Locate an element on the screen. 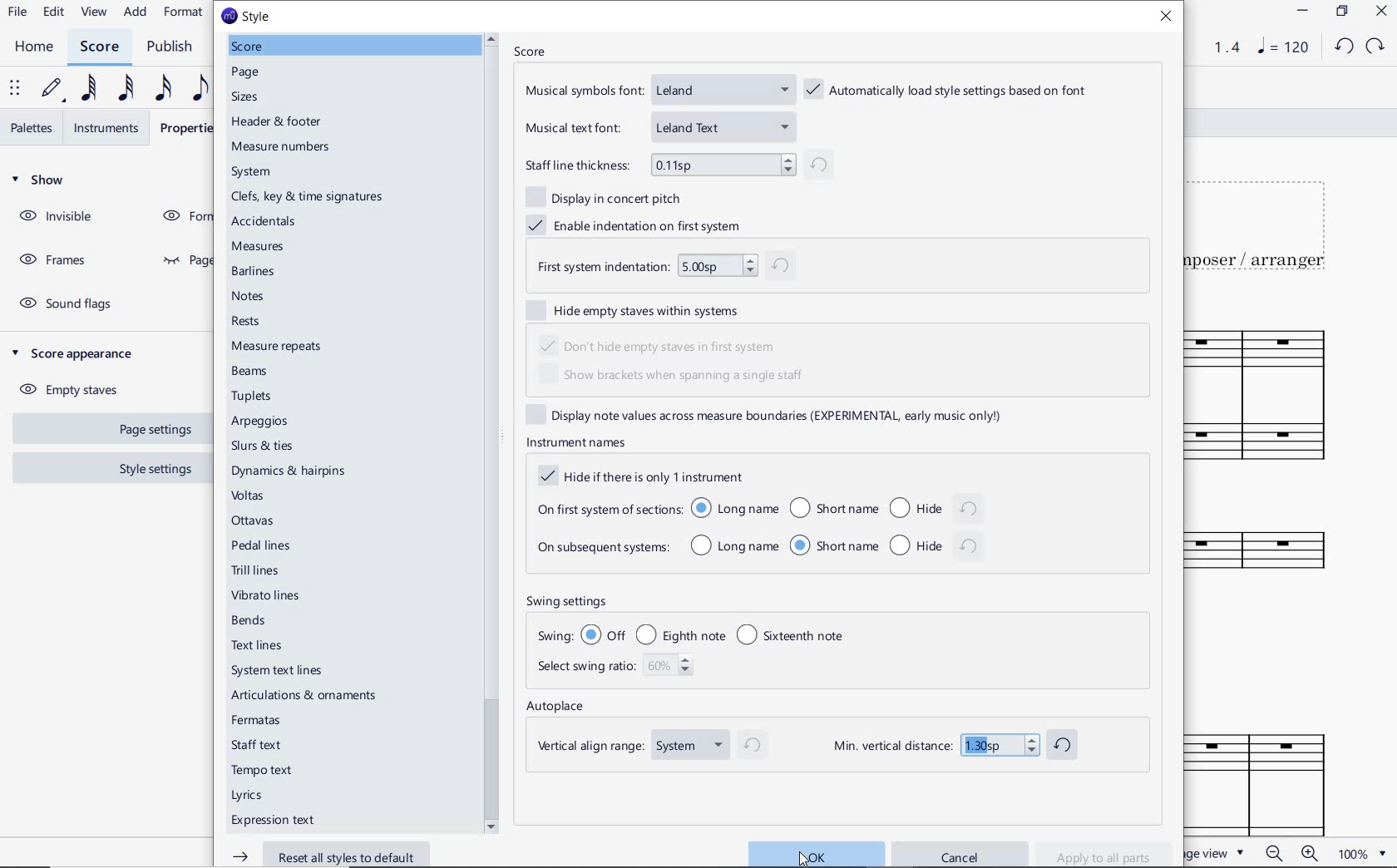  lyrics is located at coordinates (249, 796).